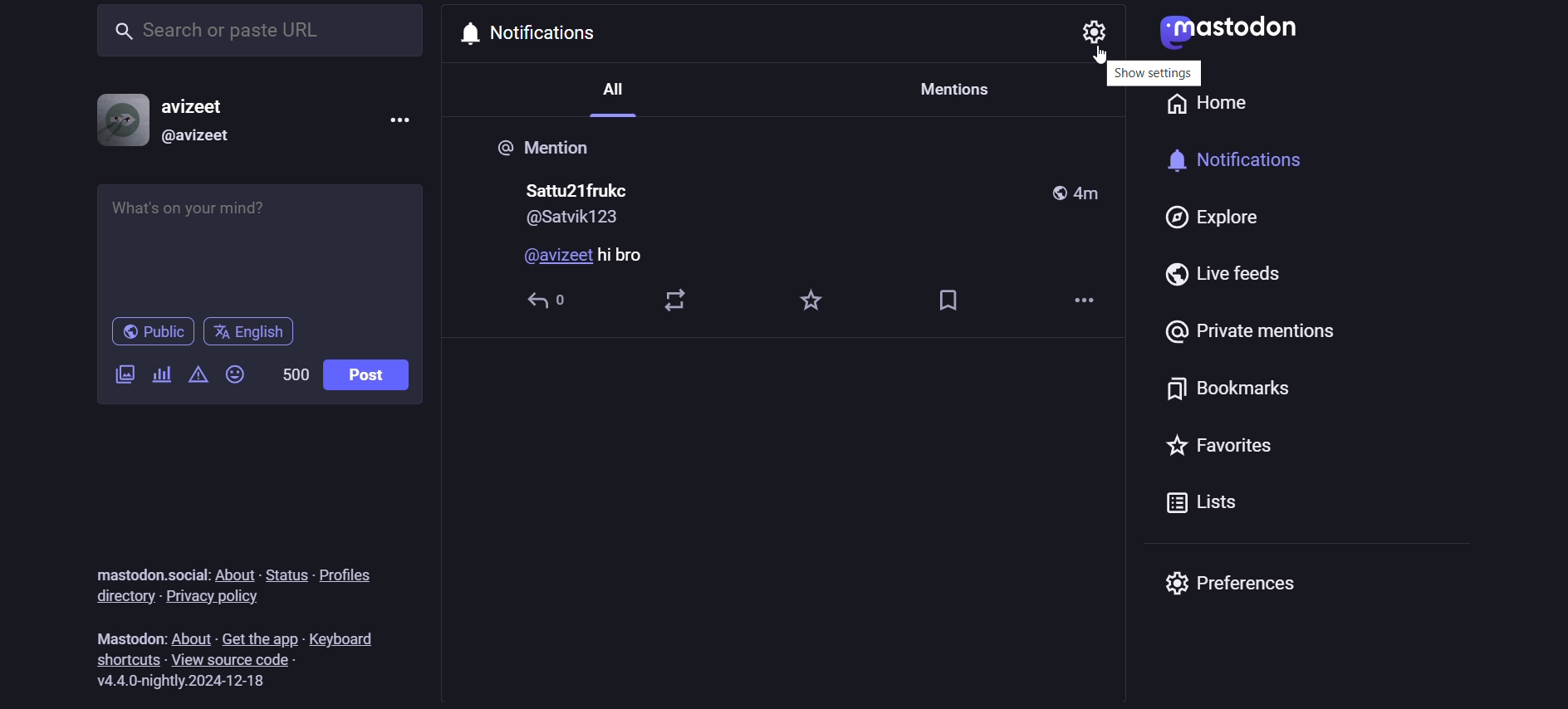 The height and width of the screenshot is (709, 1568). Describe the element at coordinates (354, 639) in the screenshot. I see `keyboard` at that location.